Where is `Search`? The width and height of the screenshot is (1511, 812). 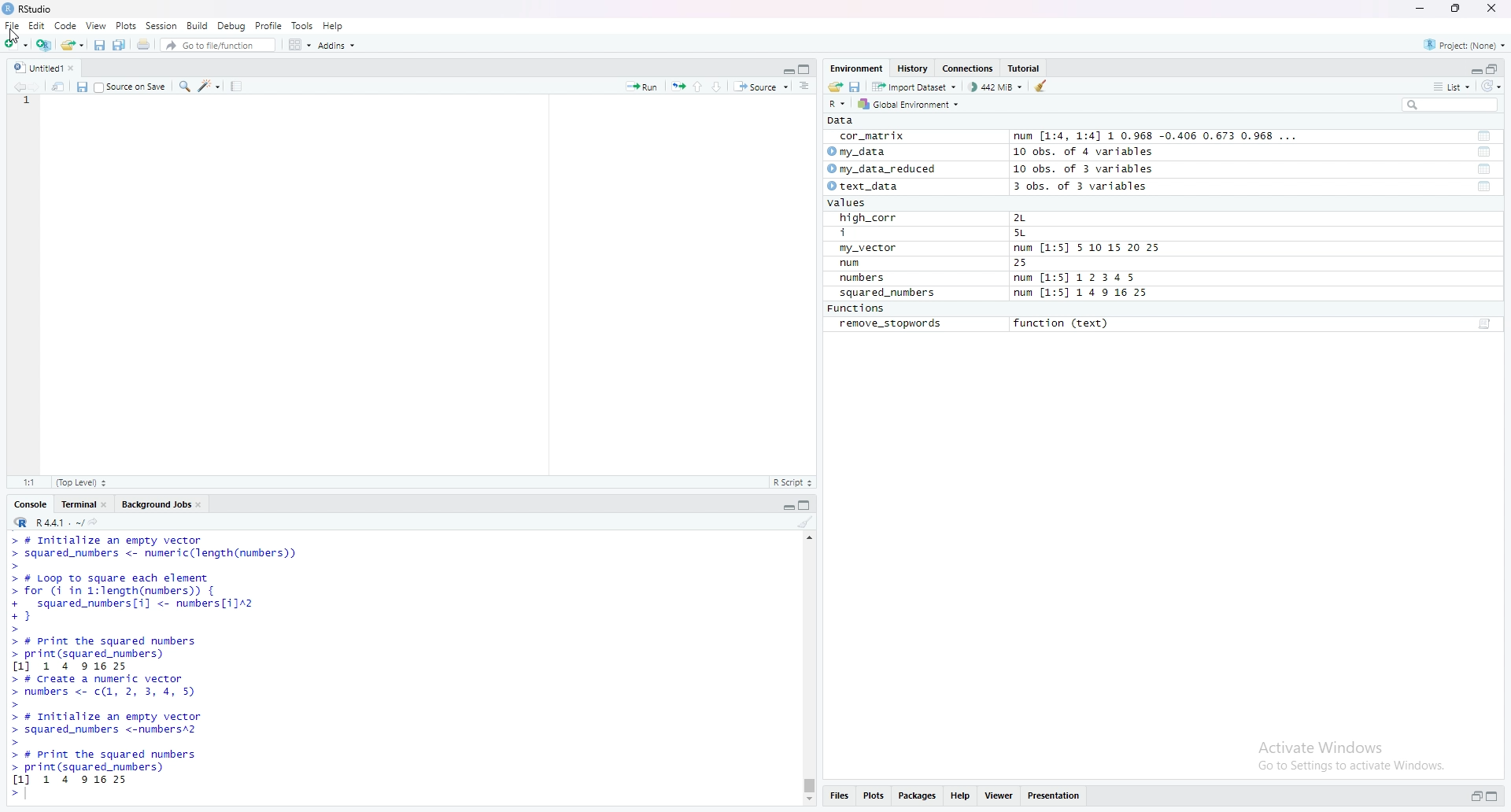
Search is located at coordinates (183, 87).